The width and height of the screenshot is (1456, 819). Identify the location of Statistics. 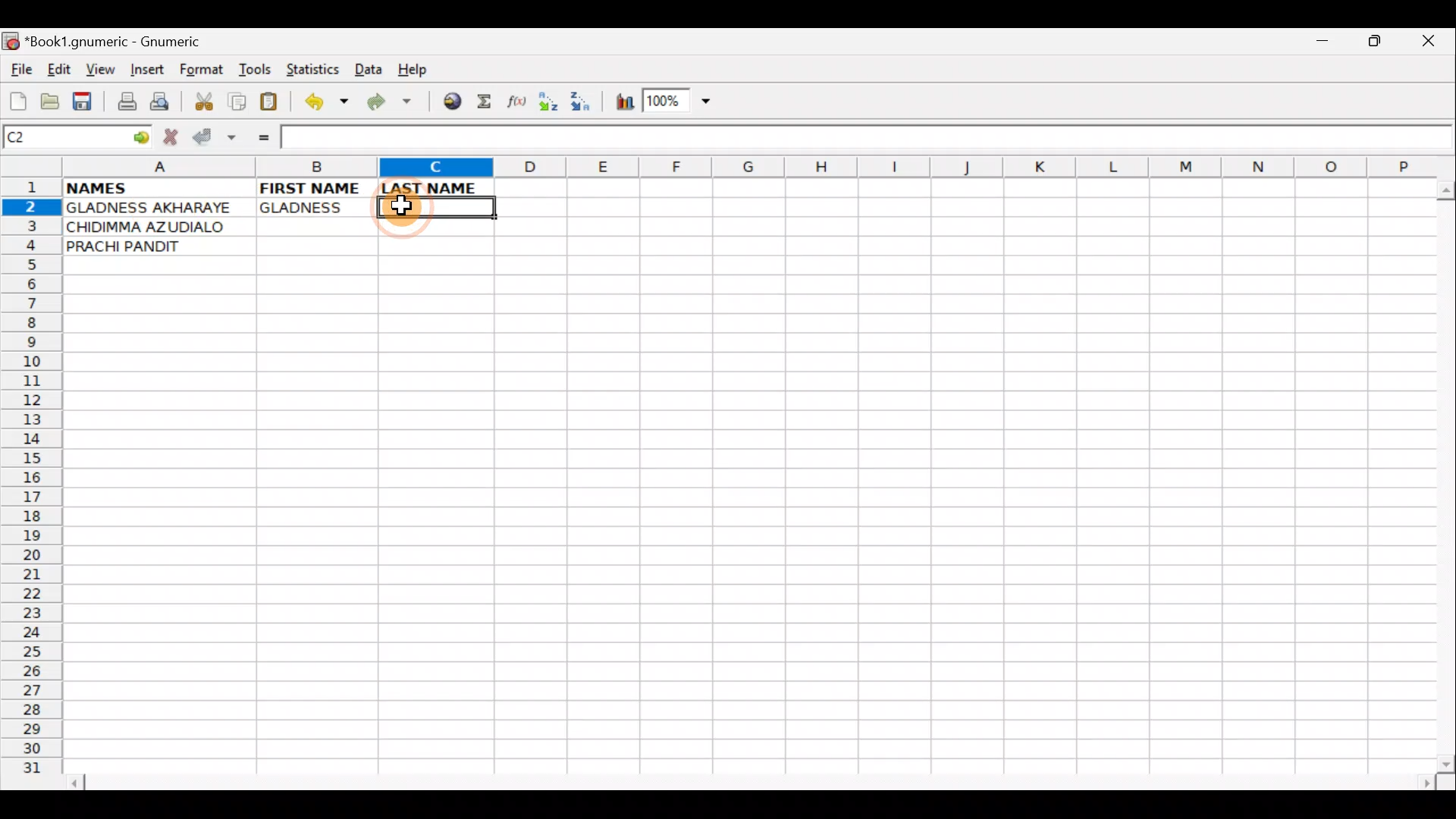
(317, 68).